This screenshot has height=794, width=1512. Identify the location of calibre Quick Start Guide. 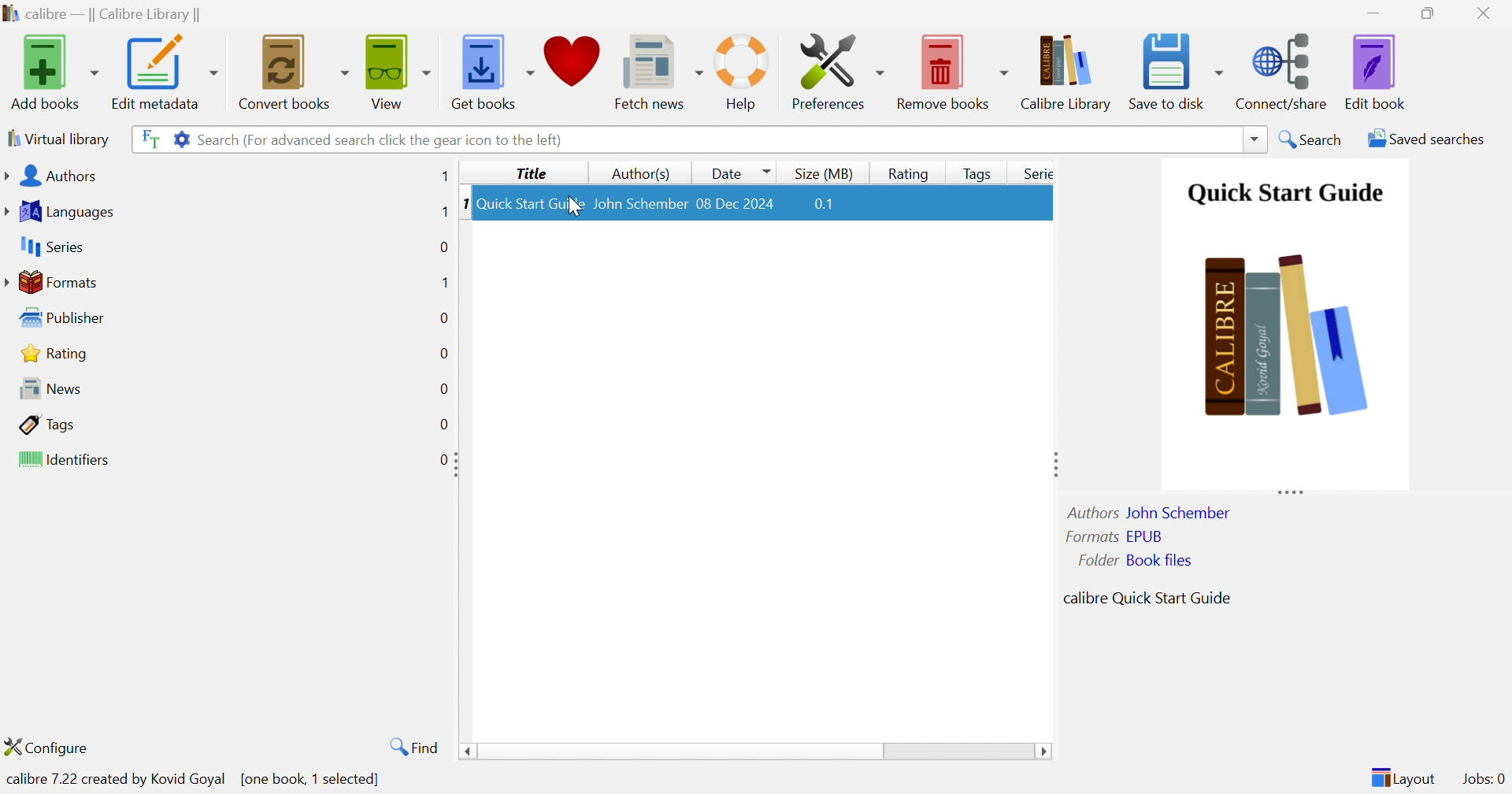
(1146, 596).